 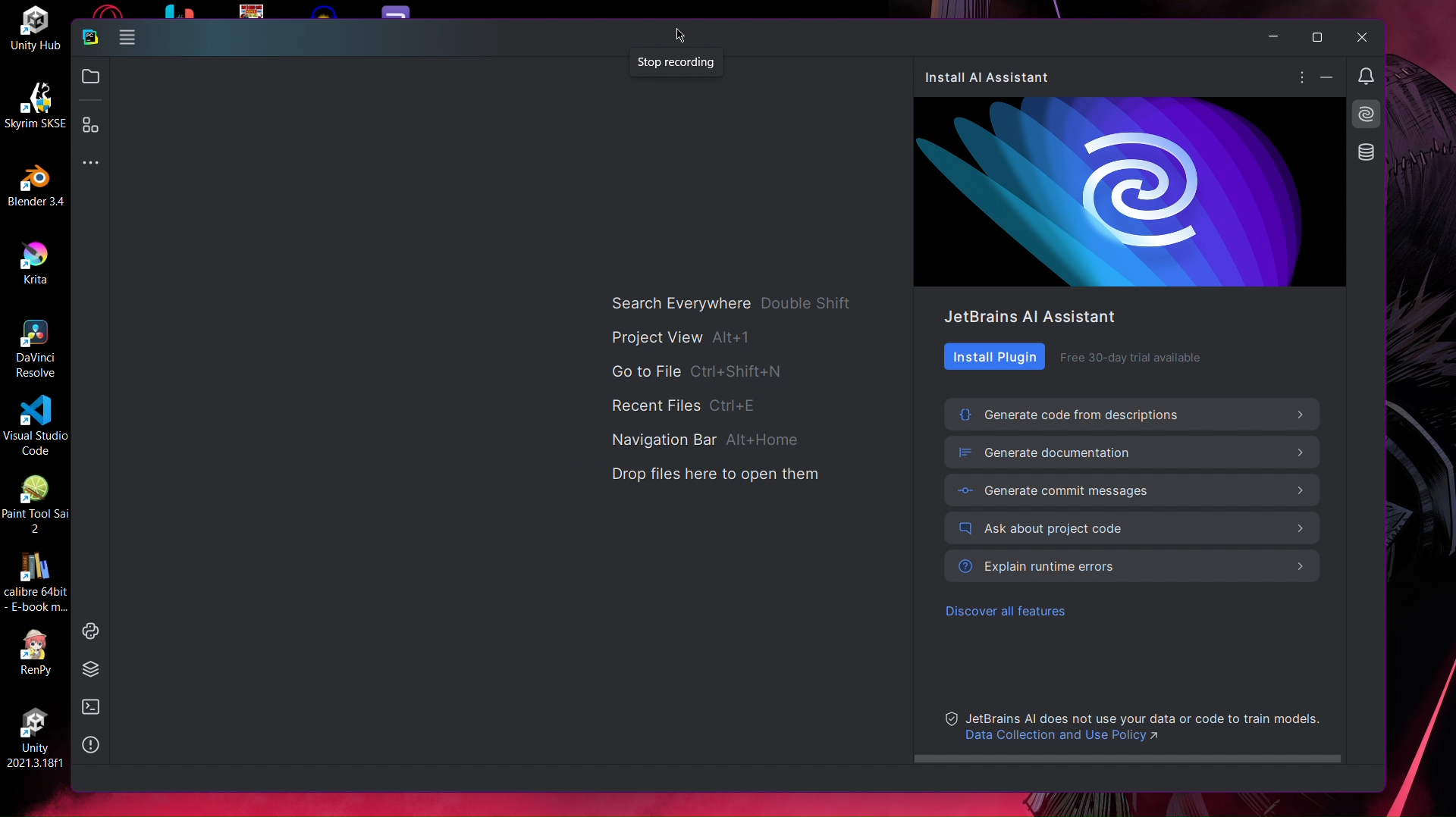 I want to click on Generate documentation, so click(x=1136, y=452).